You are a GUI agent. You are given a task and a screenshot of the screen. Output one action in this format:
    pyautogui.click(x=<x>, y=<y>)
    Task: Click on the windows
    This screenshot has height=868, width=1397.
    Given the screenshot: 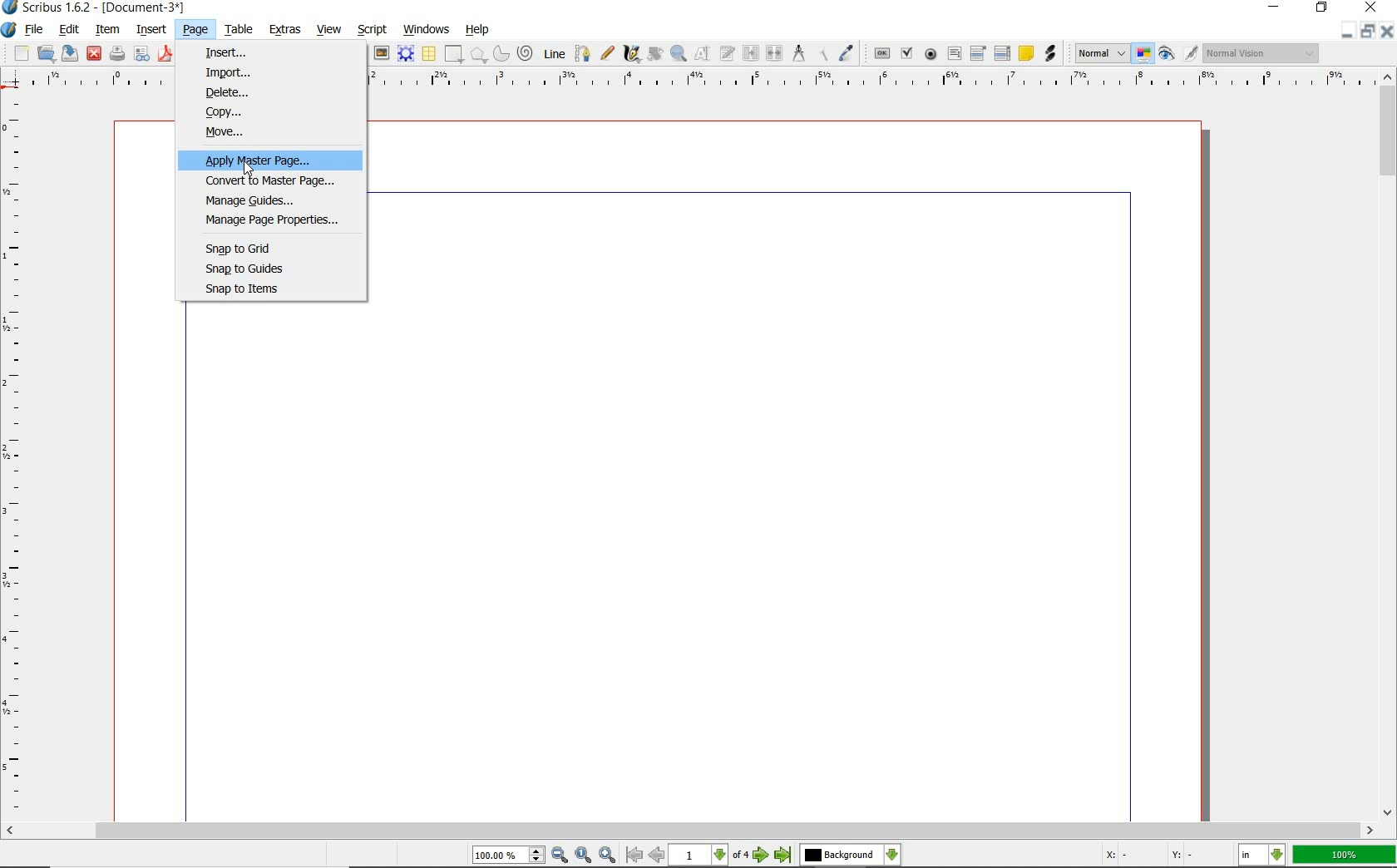 What is the action you would take?
    pyautogui.click(x=427, y=29)
    